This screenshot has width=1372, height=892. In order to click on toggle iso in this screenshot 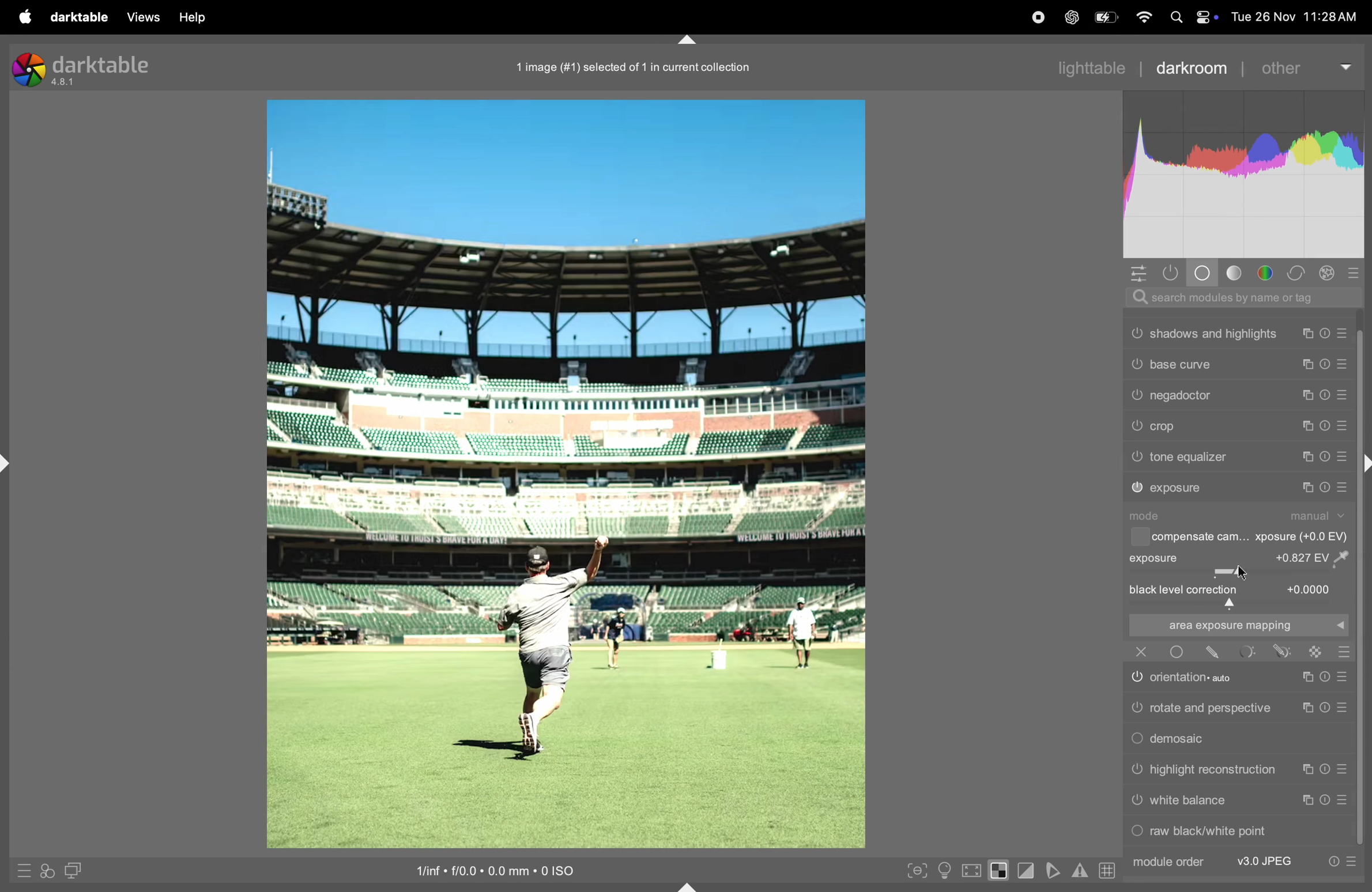, I will do `click(944, 870)`.